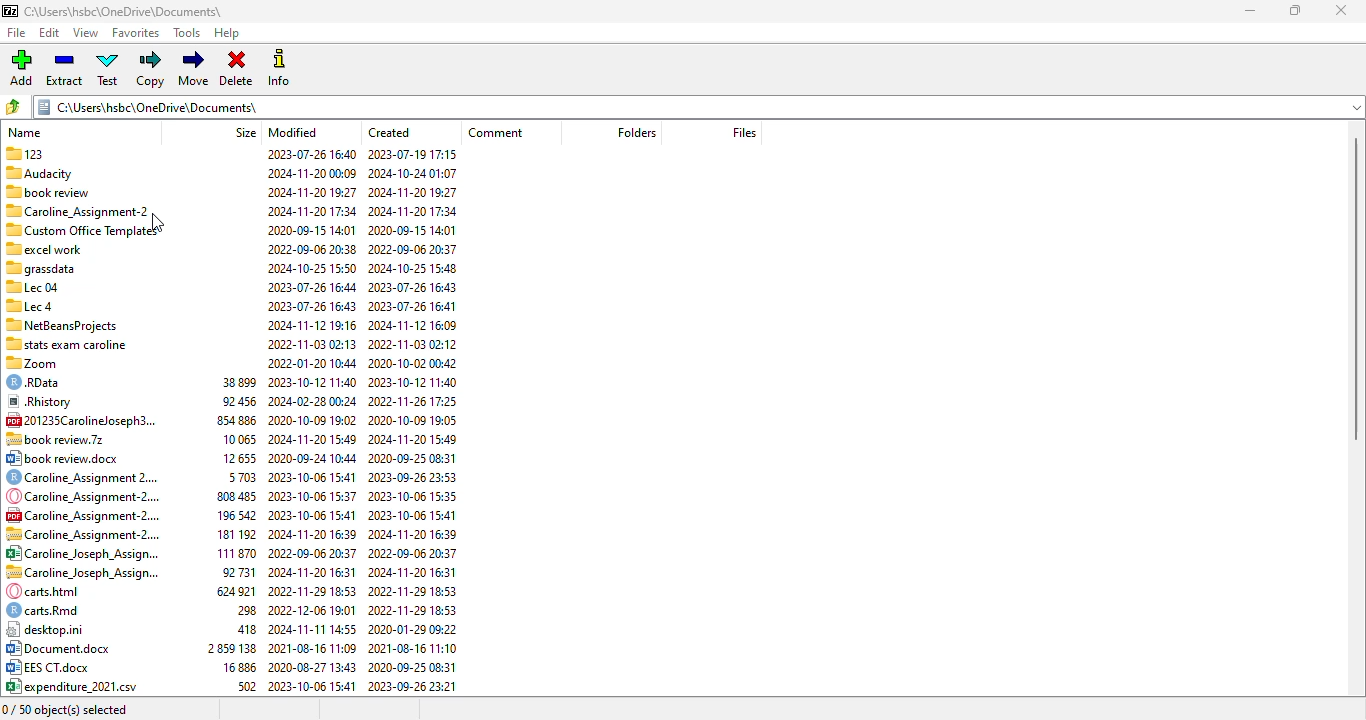 Image resolution: width=1366 pixels, height=720 pixels. I want to click on 12655, so click(238, 459).